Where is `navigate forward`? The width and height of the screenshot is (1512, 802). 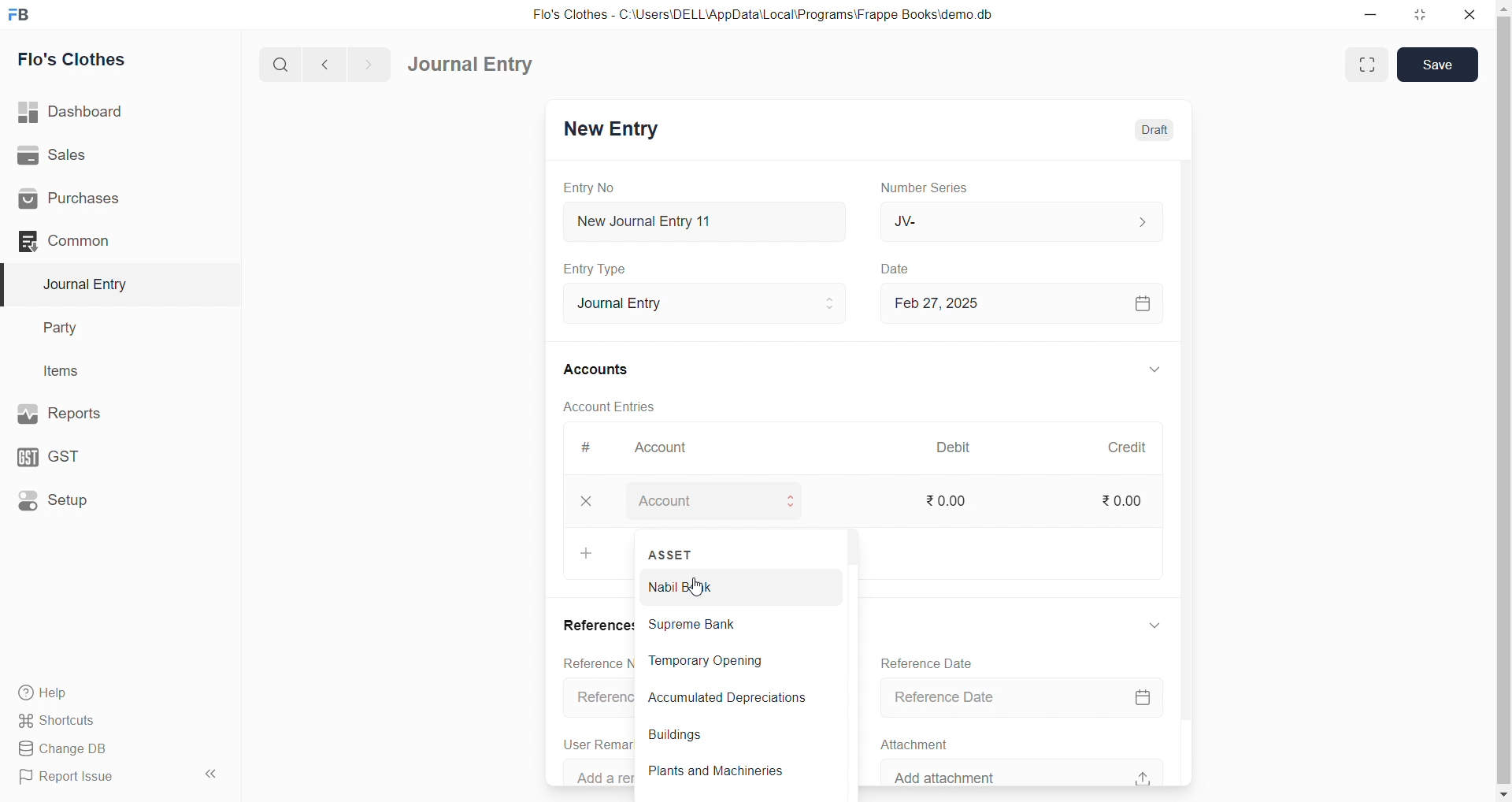 navigate forward is located at coordinates (372, 64).